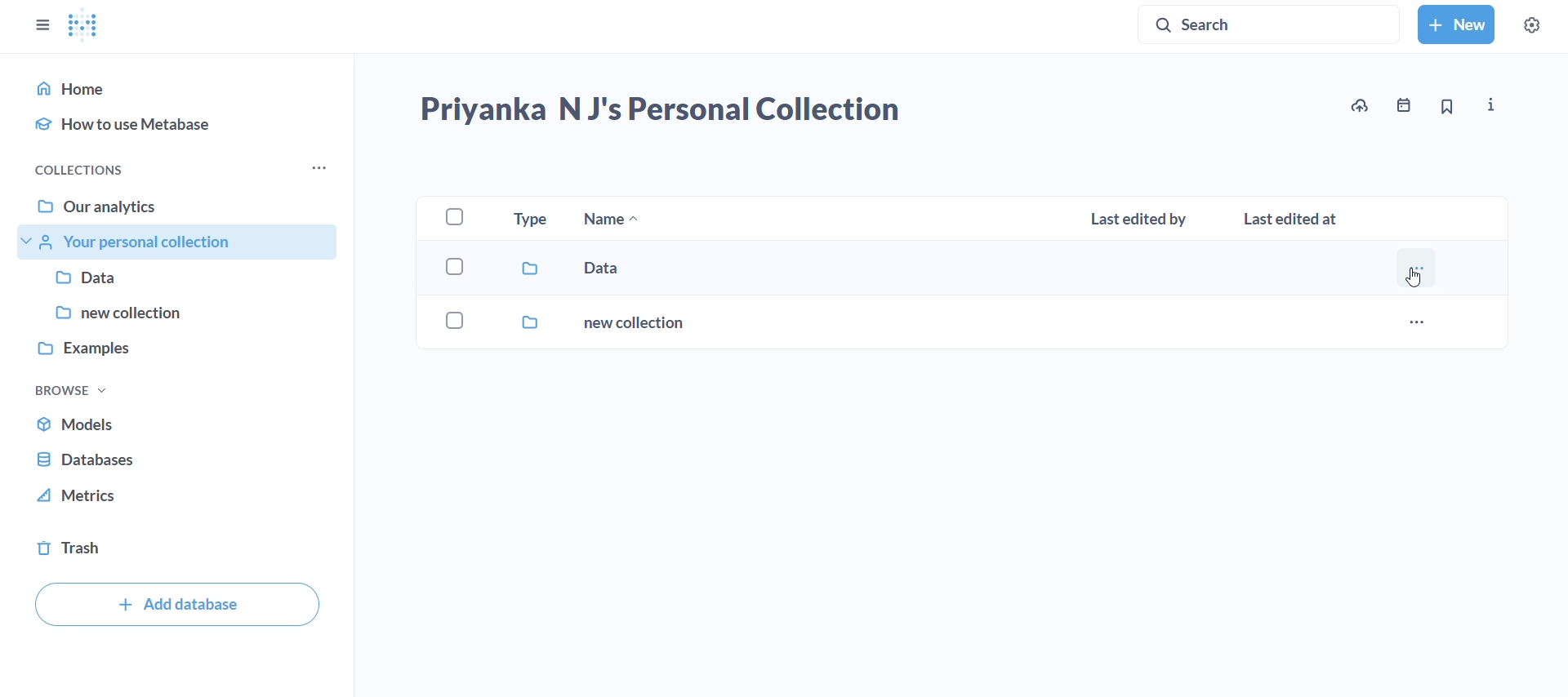 This screenshot has width=1568, height=697. Describe the element at coordinates (86, 27) in the screenshot. I see `logo` at that location.